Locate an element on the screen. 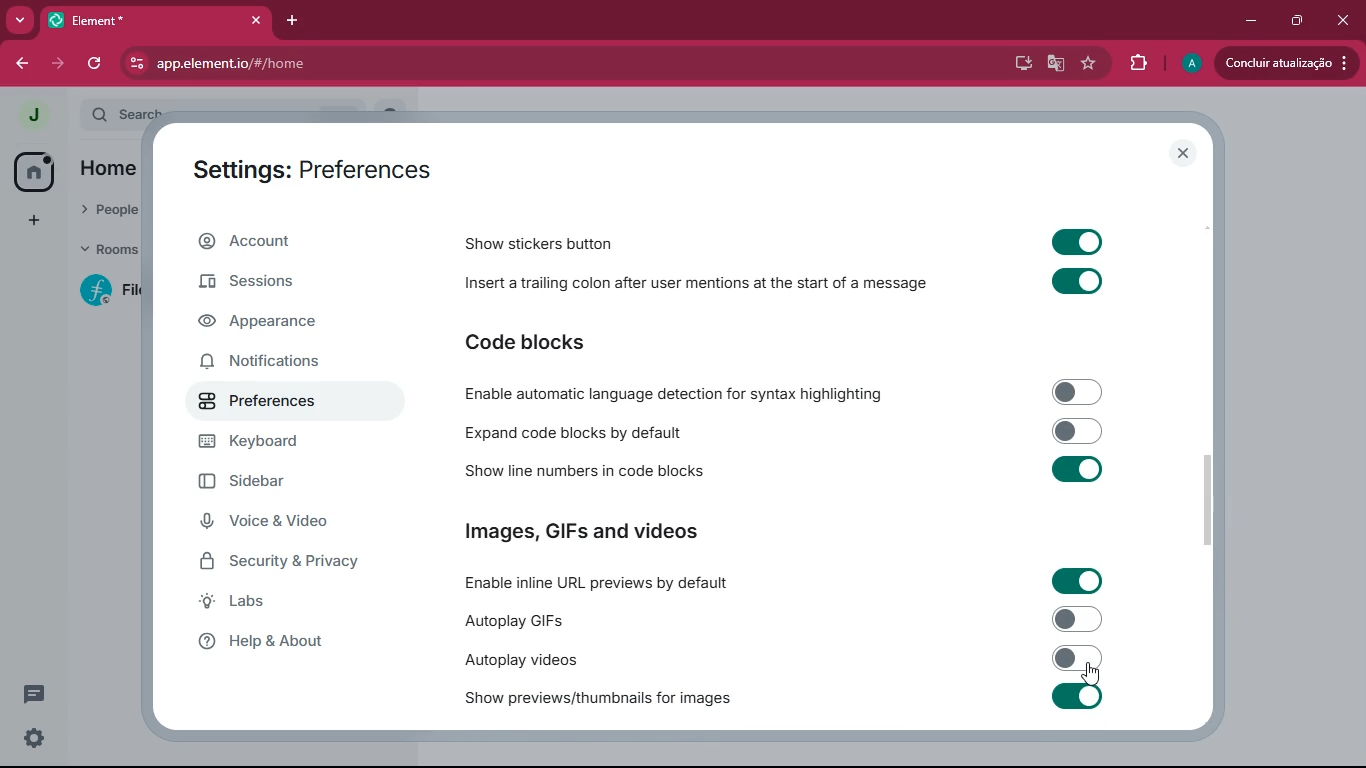 This screenshot has width=1366, height=768.  is located at coordinates (1077, 619).